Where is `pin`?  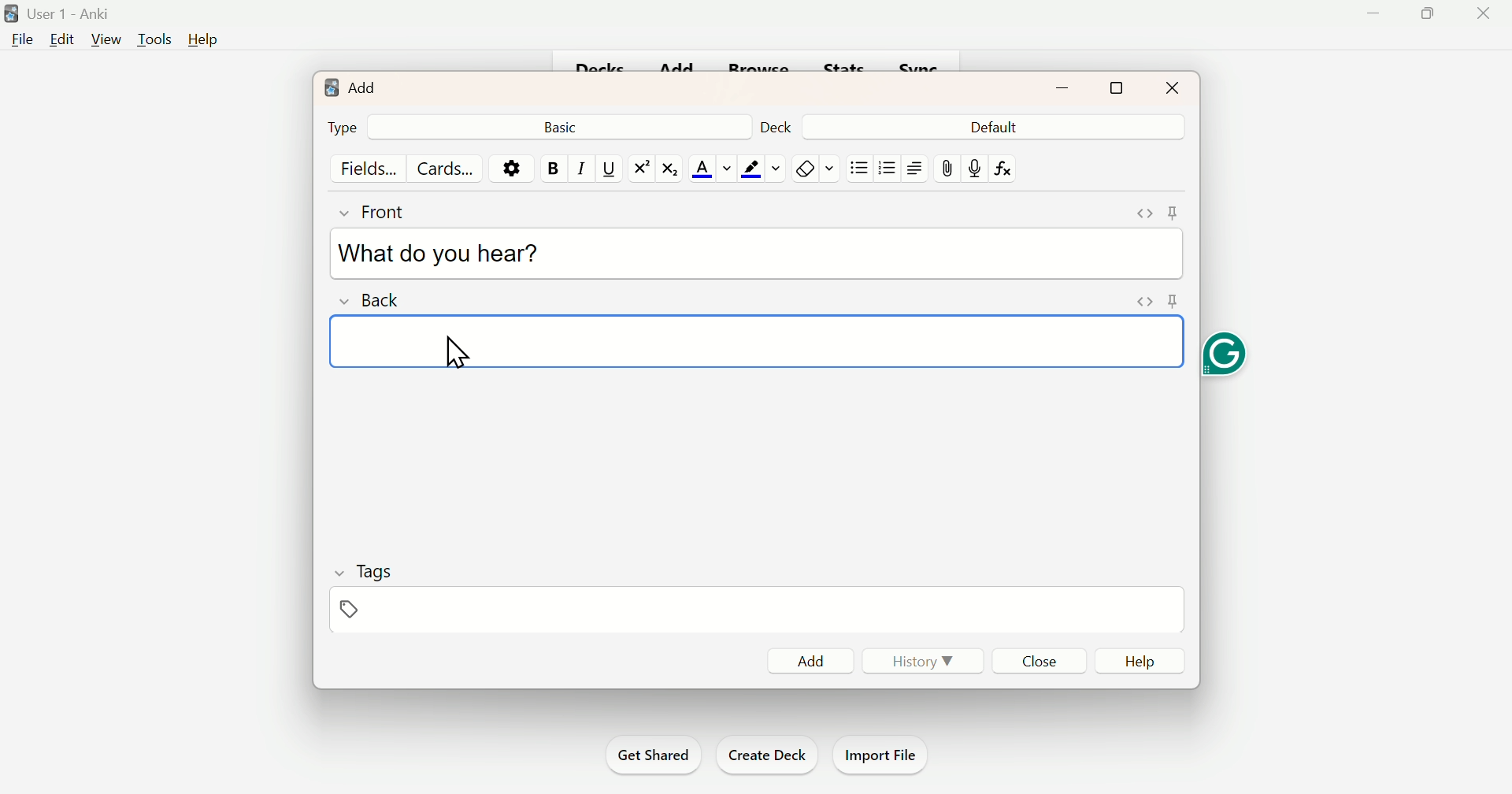 pin is located at coordinates (944, 167).